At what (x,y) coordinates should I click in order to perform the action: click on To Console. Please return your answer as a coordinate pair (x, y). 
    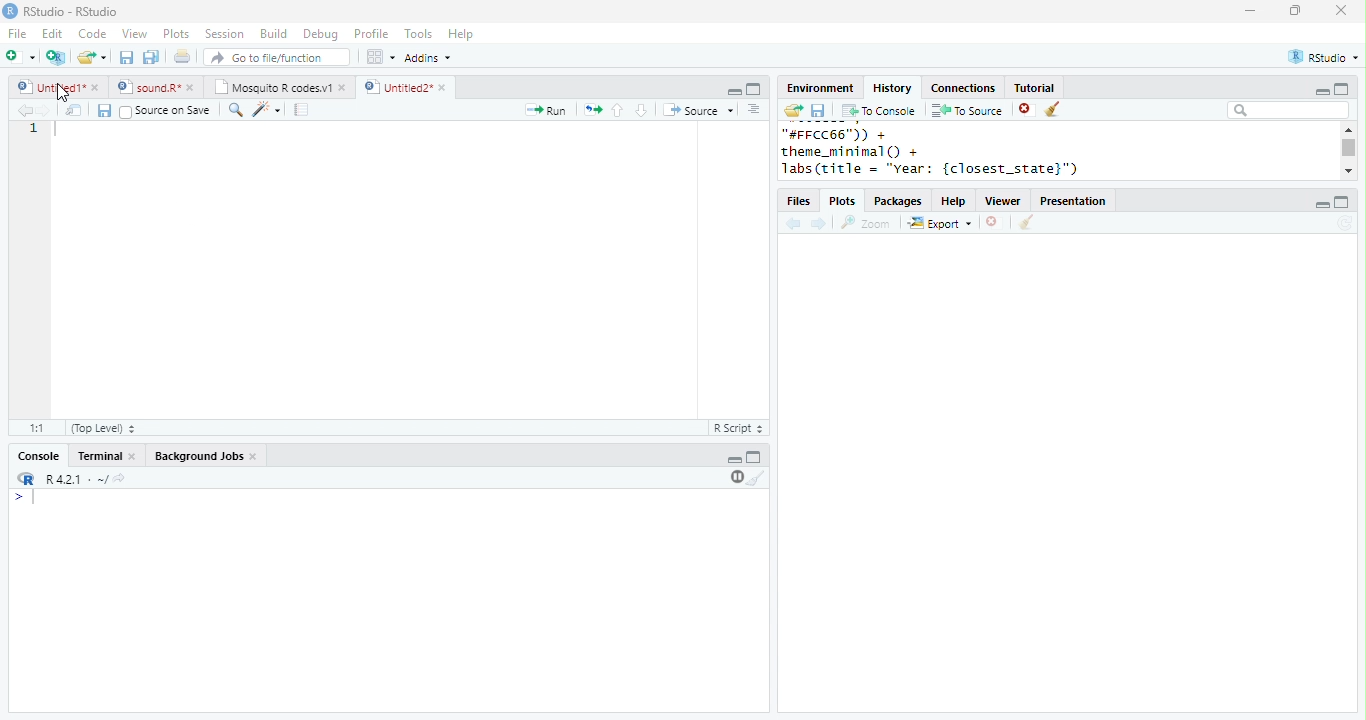
    Looking at the image, I should click on (880, 111).